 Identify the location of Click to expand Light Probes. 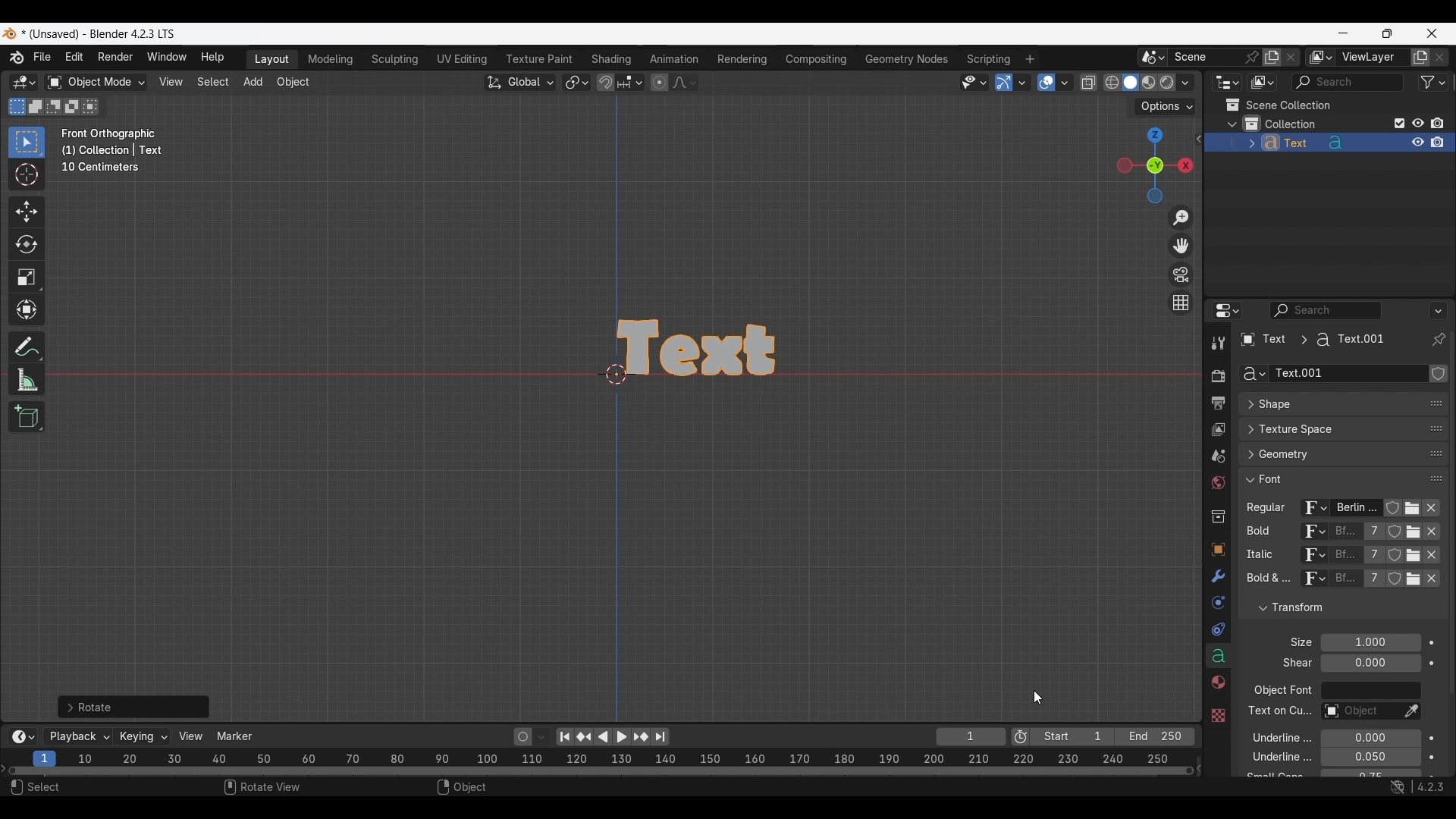
(1291, 642).